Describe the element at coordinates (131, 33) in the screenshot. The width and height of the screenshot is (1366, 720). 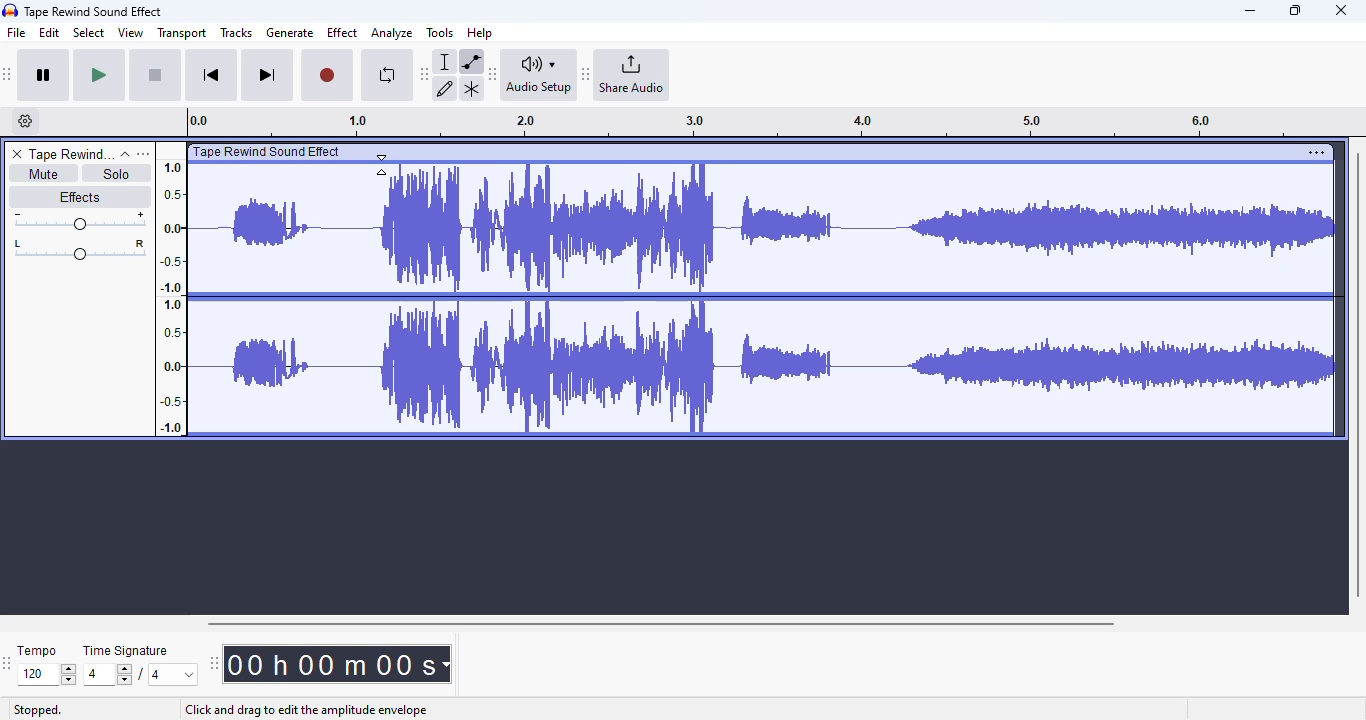
I see `view` at that location.